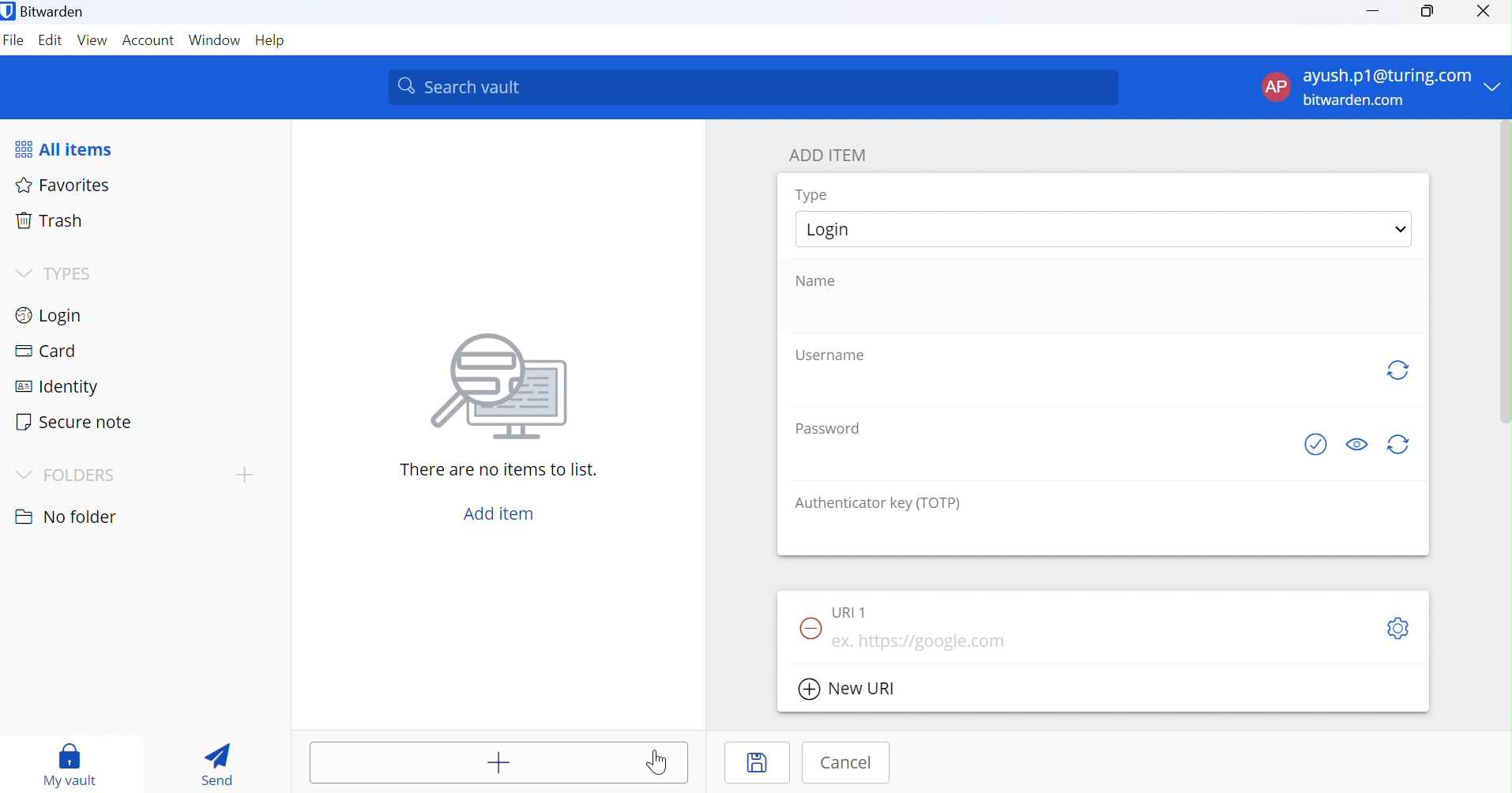 This screenshot has height=793, width=1512. Describe the element at coordinates (51, 223) in the screenshot. I see `Trash` at that location.